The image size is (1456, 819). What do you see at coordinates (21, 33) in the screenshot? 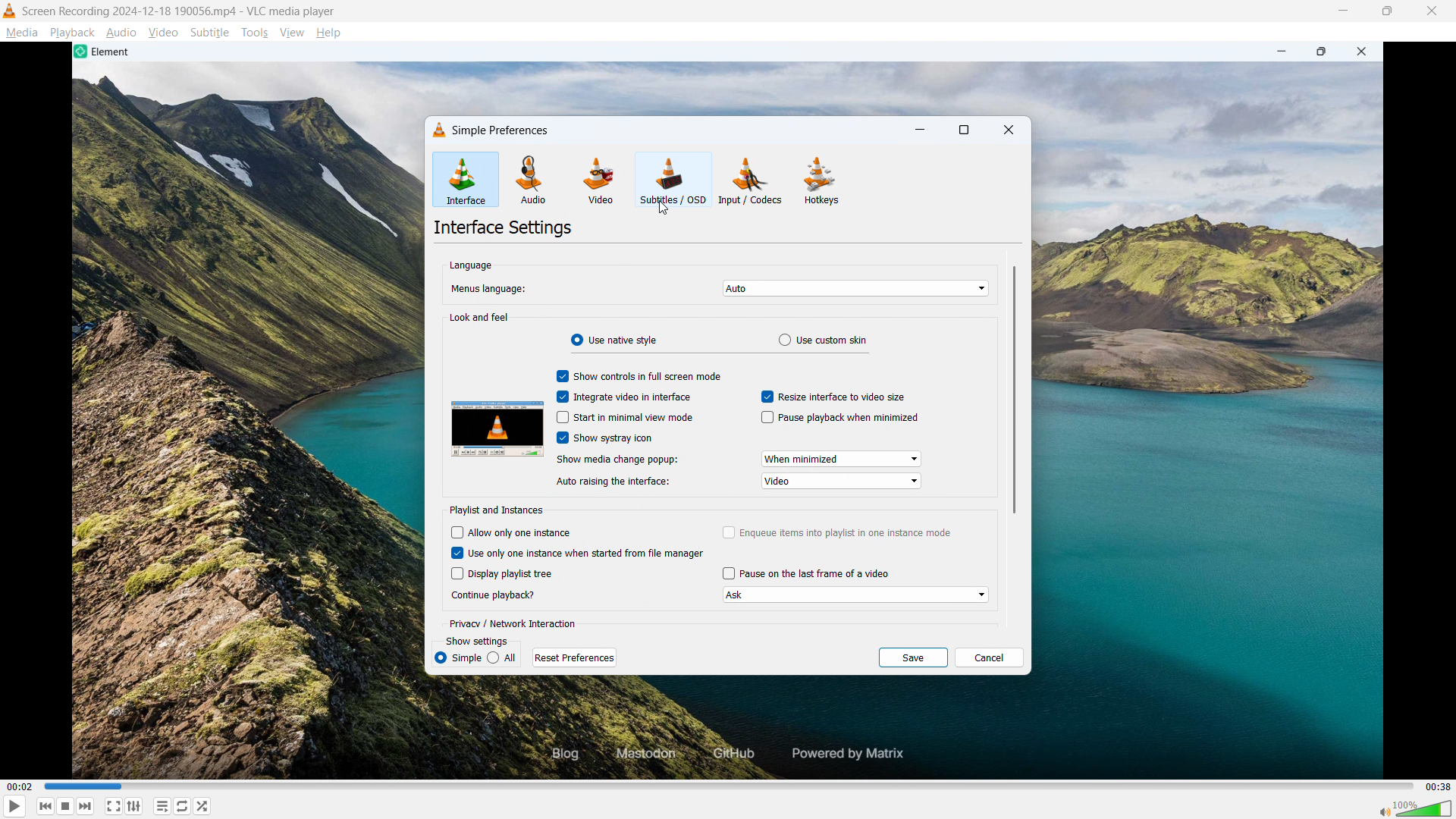
I see `Media ` at bounding box center [21, 33].